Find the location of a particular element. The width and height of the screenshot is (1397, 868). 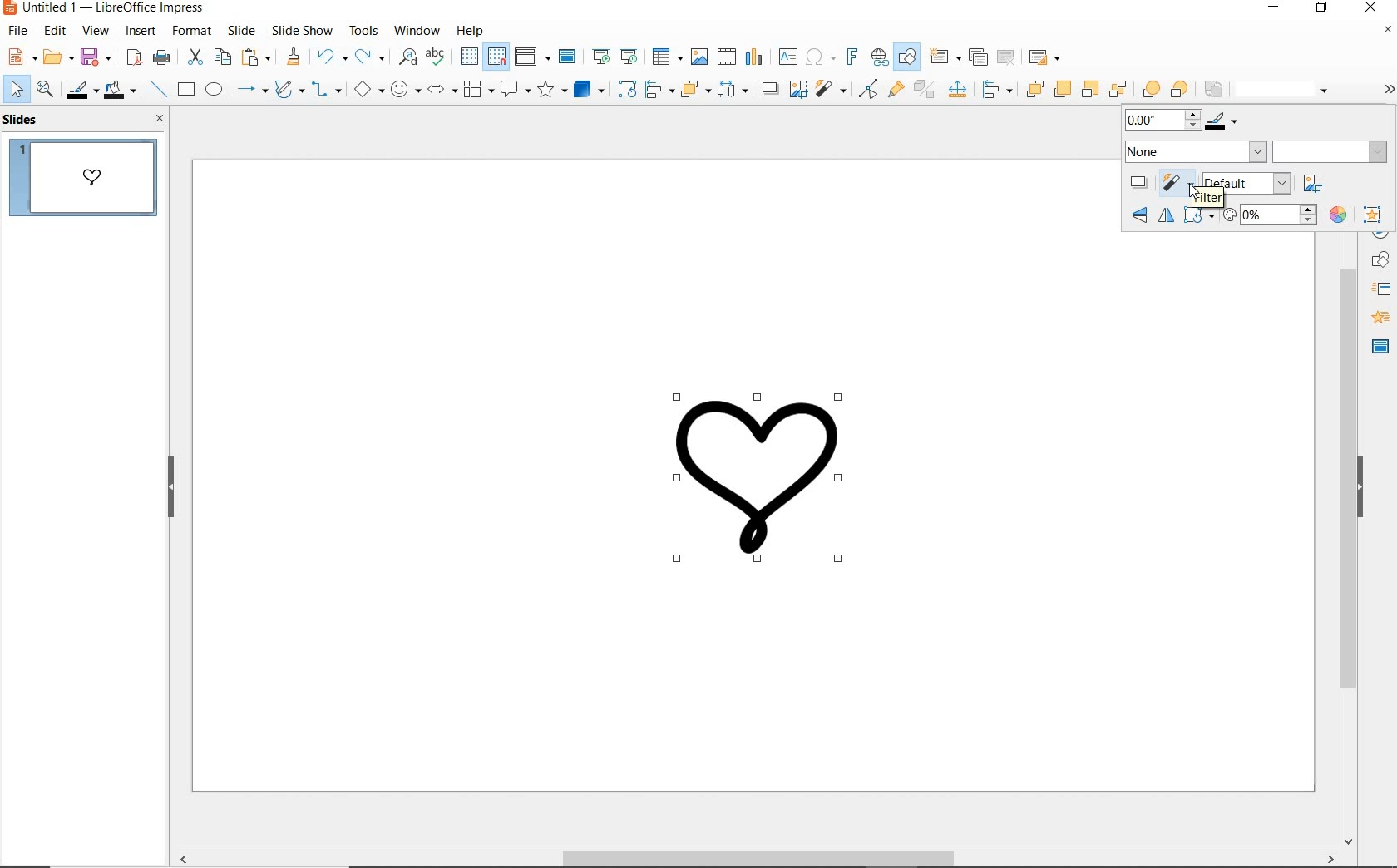

fill color is located at coordinates (120, 89).